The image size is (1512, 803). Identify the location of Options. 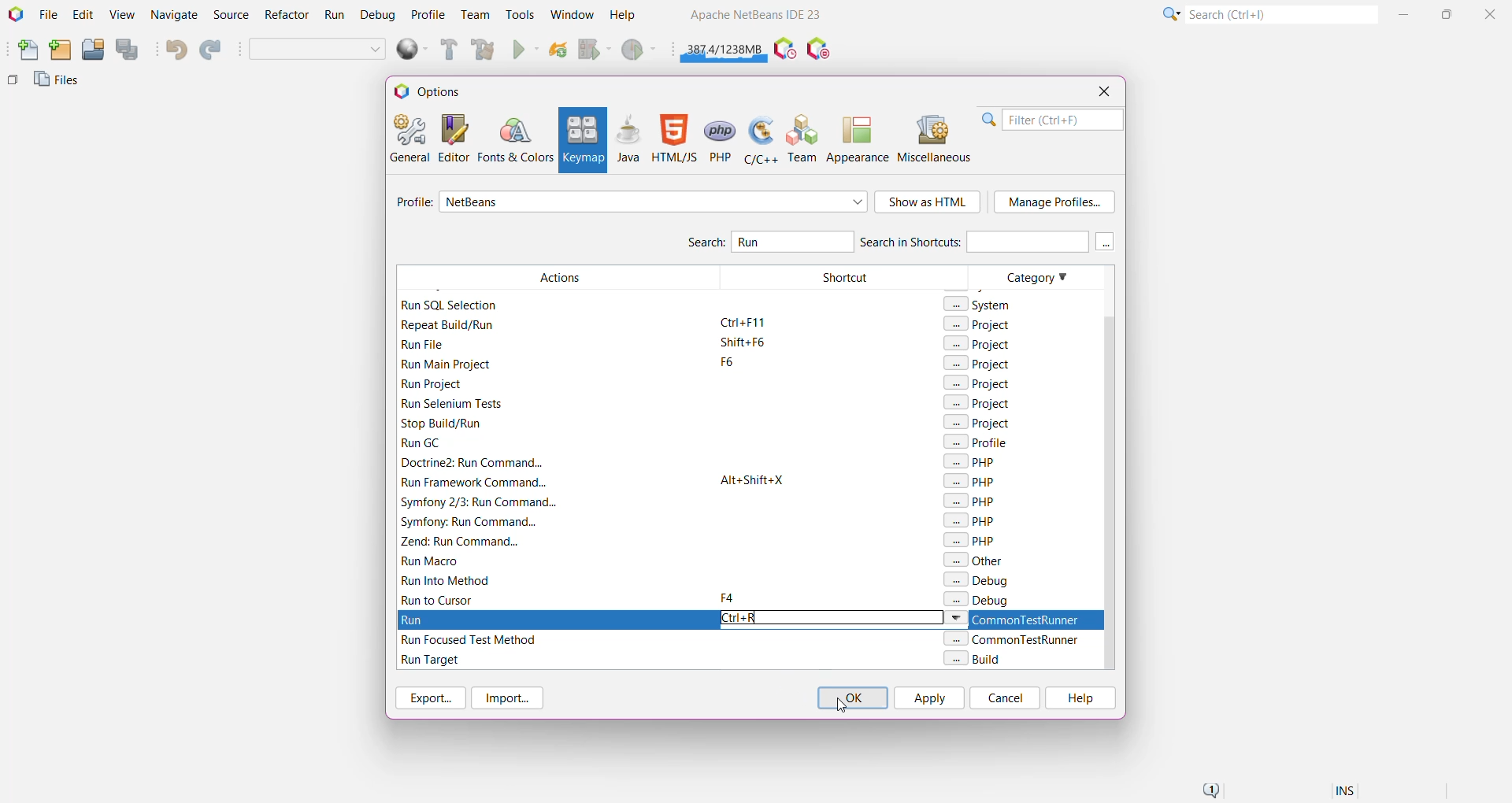
(435, 91).